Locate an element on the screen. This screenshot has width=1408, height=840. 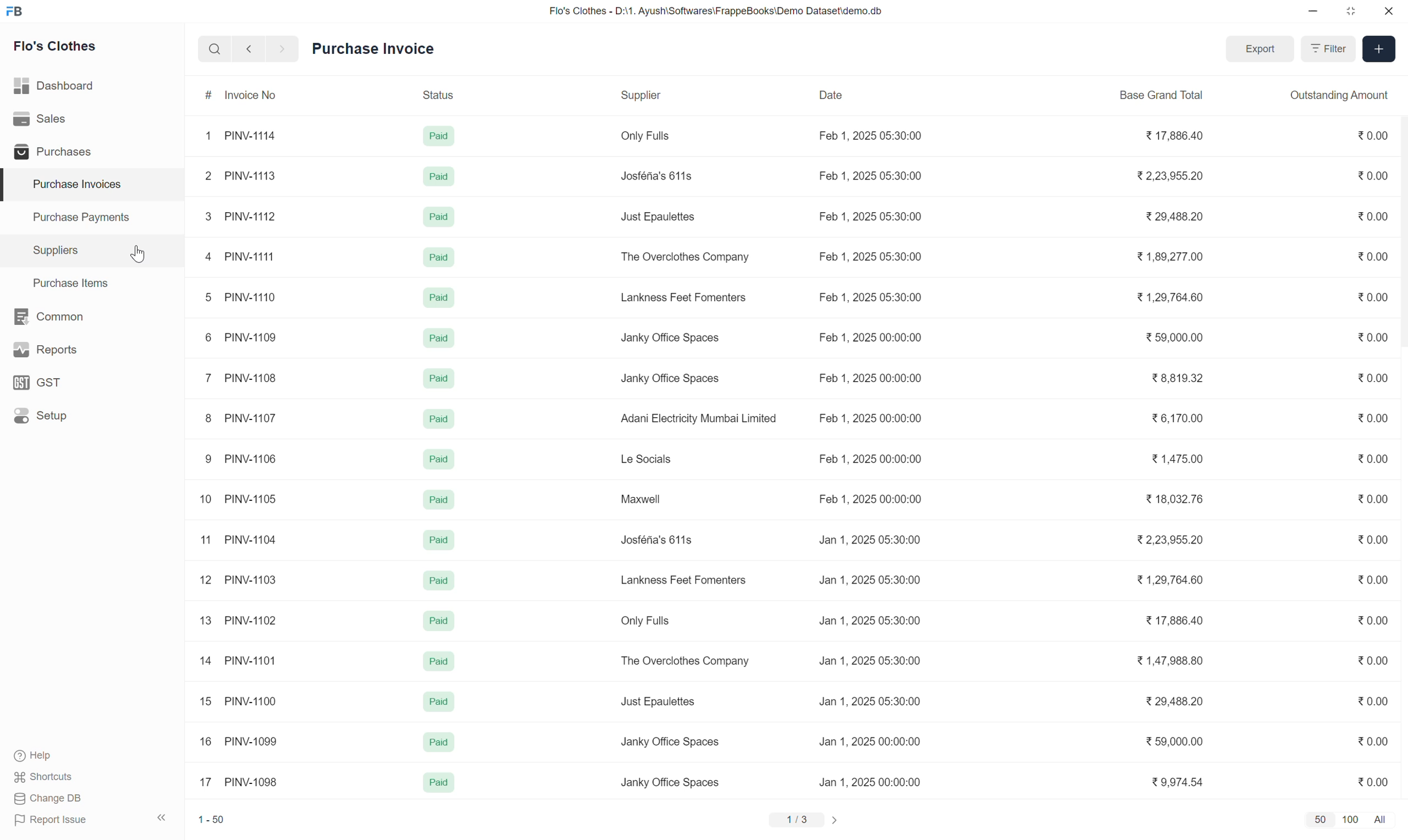
search is located at coordinates (212, 49).